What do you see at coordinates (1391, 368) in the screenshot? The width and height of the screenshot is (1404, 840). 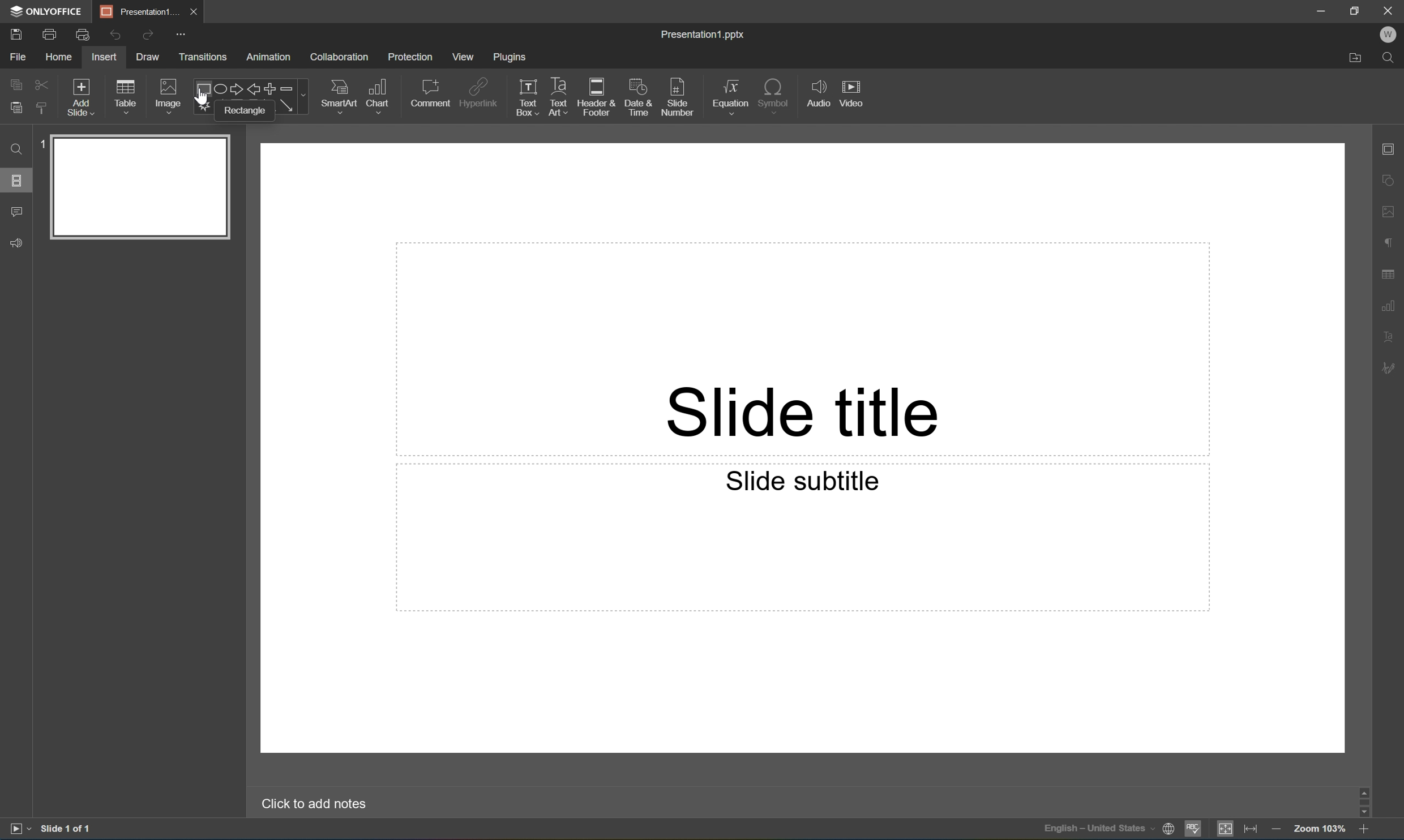 I see `Signature settings` at bounding box center [1391, 368].